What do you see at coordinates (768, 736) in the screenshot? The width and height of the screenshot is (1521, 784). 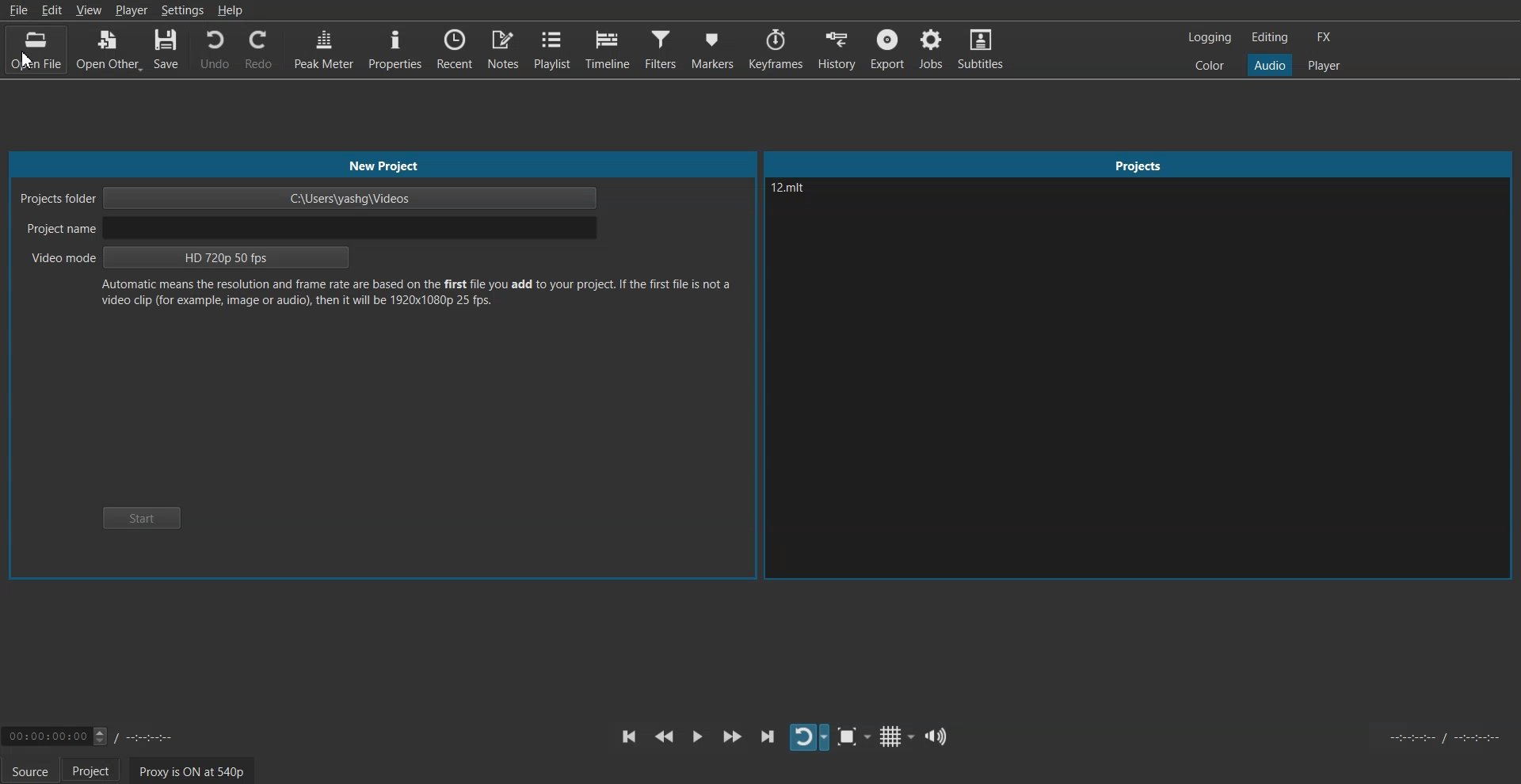 I see `Skip to the next point` at bounding box center [768, 736].